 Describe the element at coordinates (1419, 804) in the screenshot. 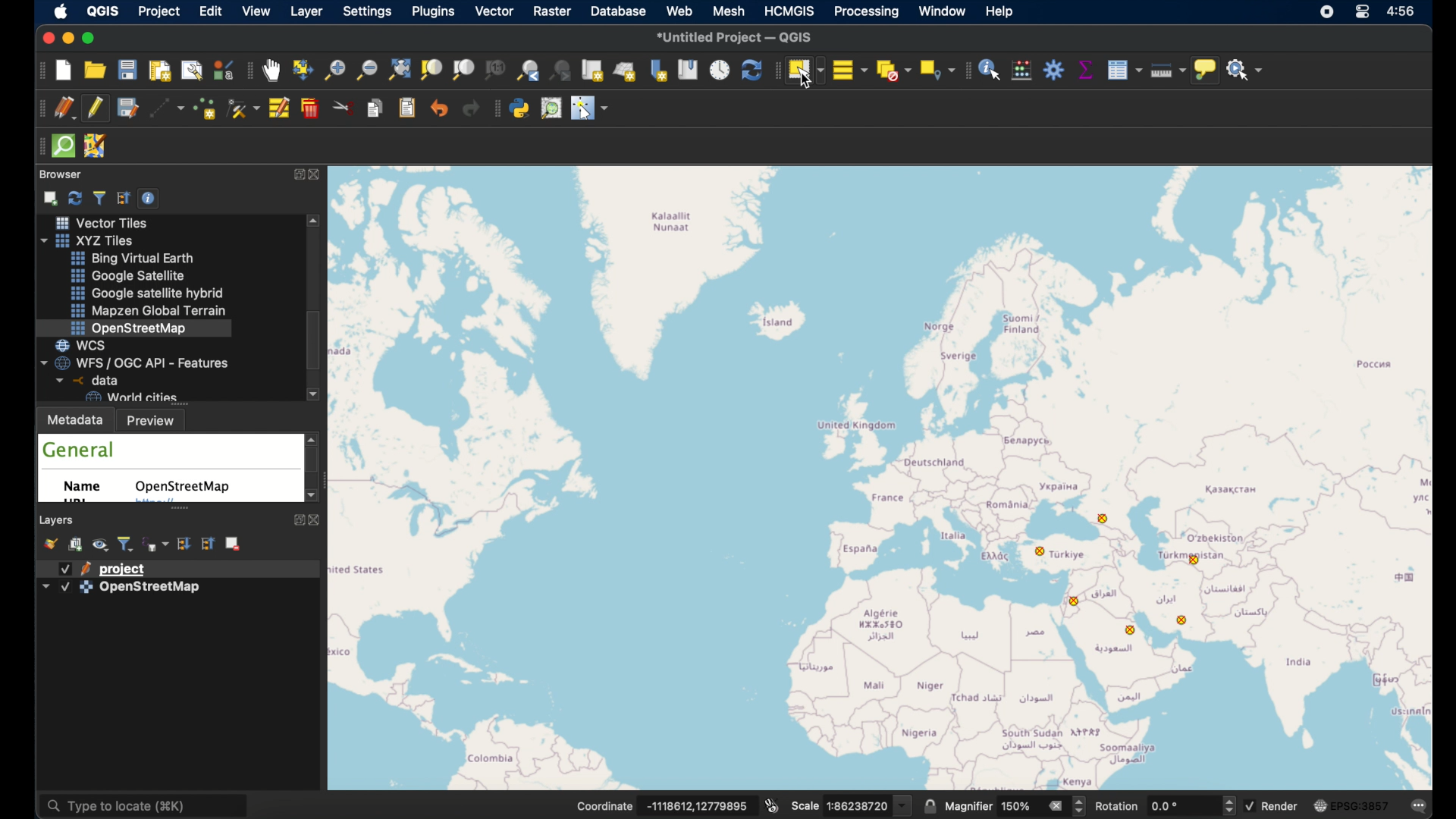

I see `messages` at that location.